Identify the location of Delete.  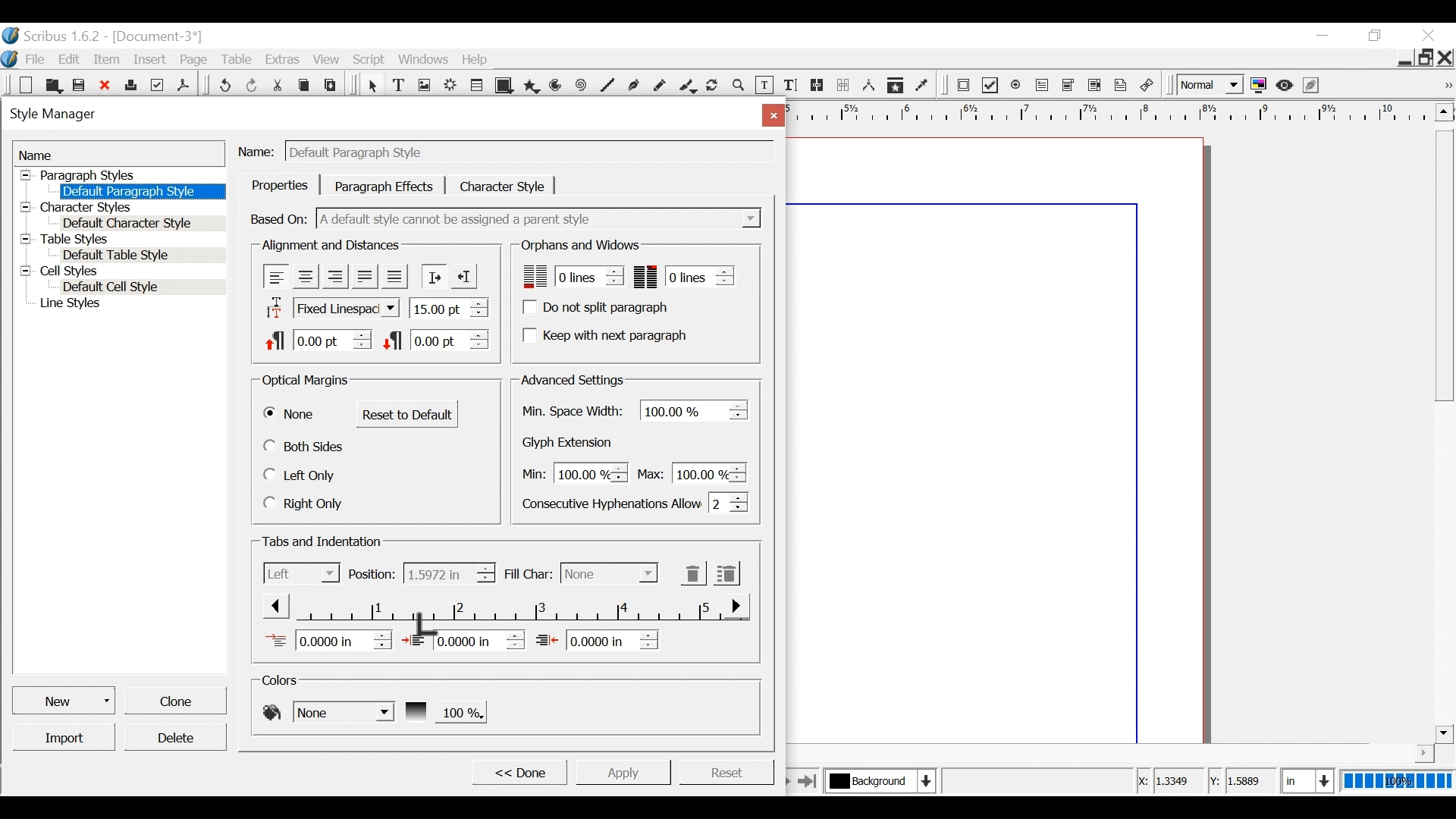
(174, 737).